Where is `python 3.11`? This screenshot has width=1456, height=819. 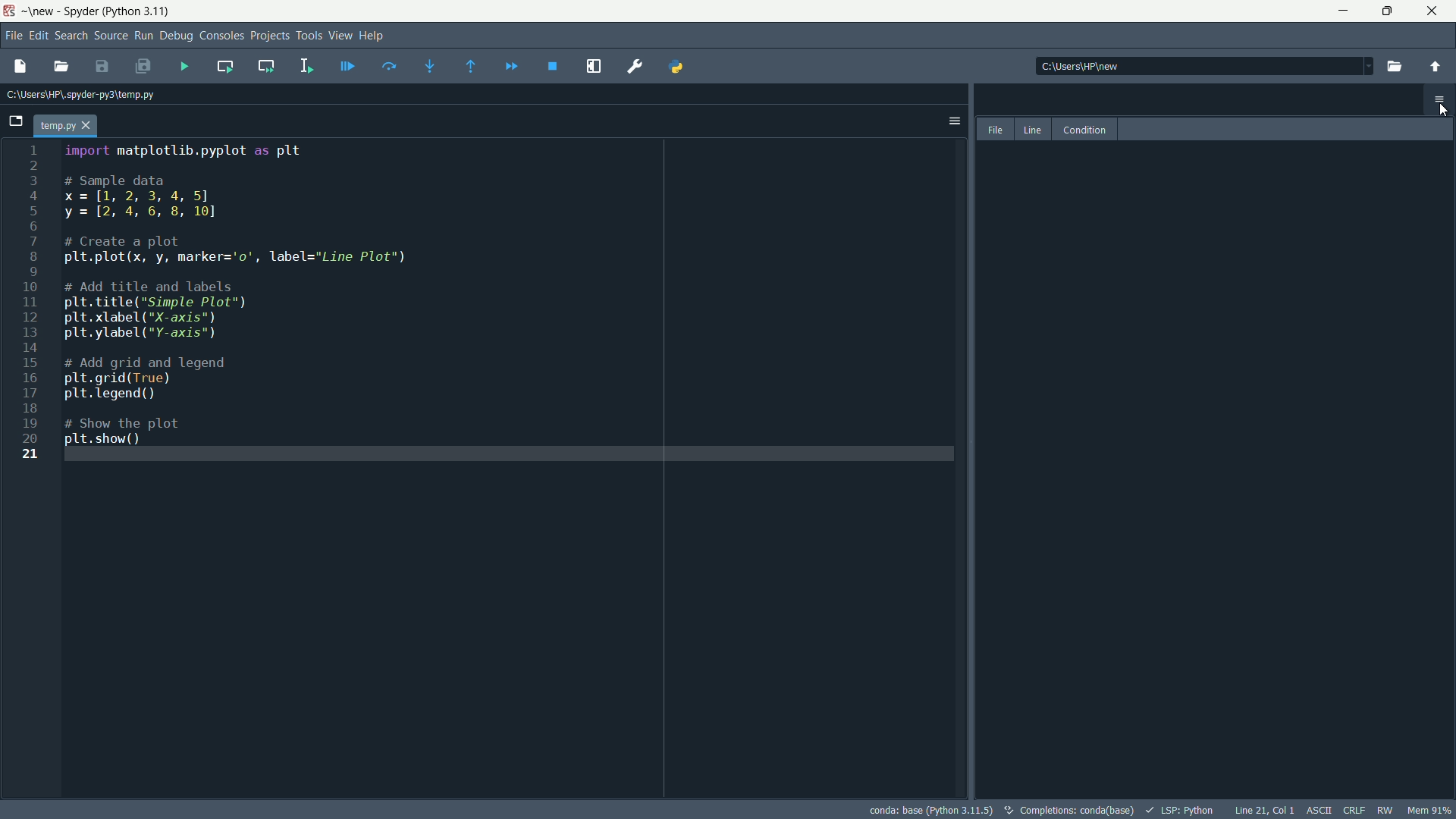 python 3.11 is located at coordinates (140, 10).